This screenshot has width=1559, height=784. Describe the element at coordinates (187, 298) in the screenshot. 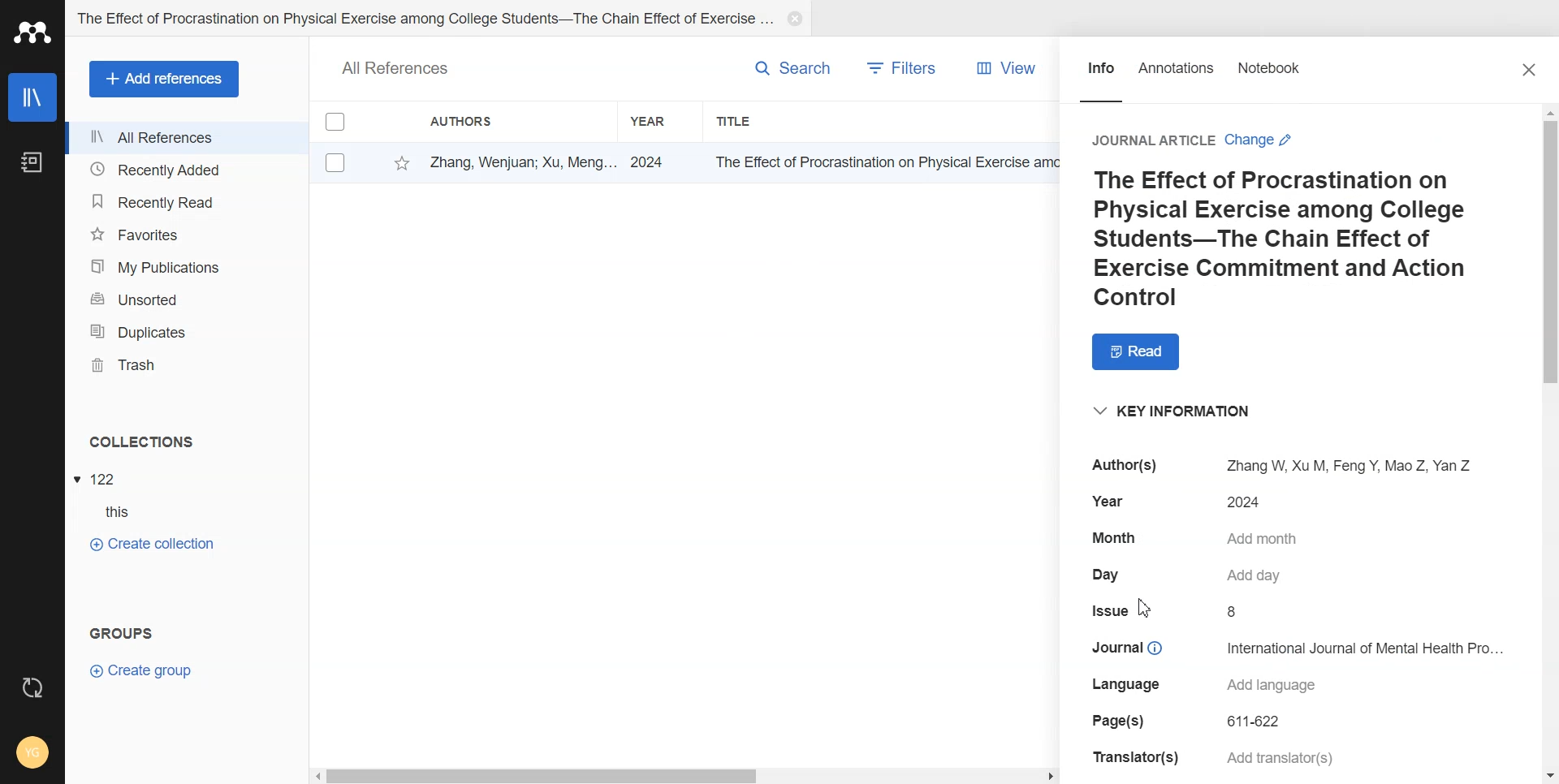

I see `Unsorted` at that location.